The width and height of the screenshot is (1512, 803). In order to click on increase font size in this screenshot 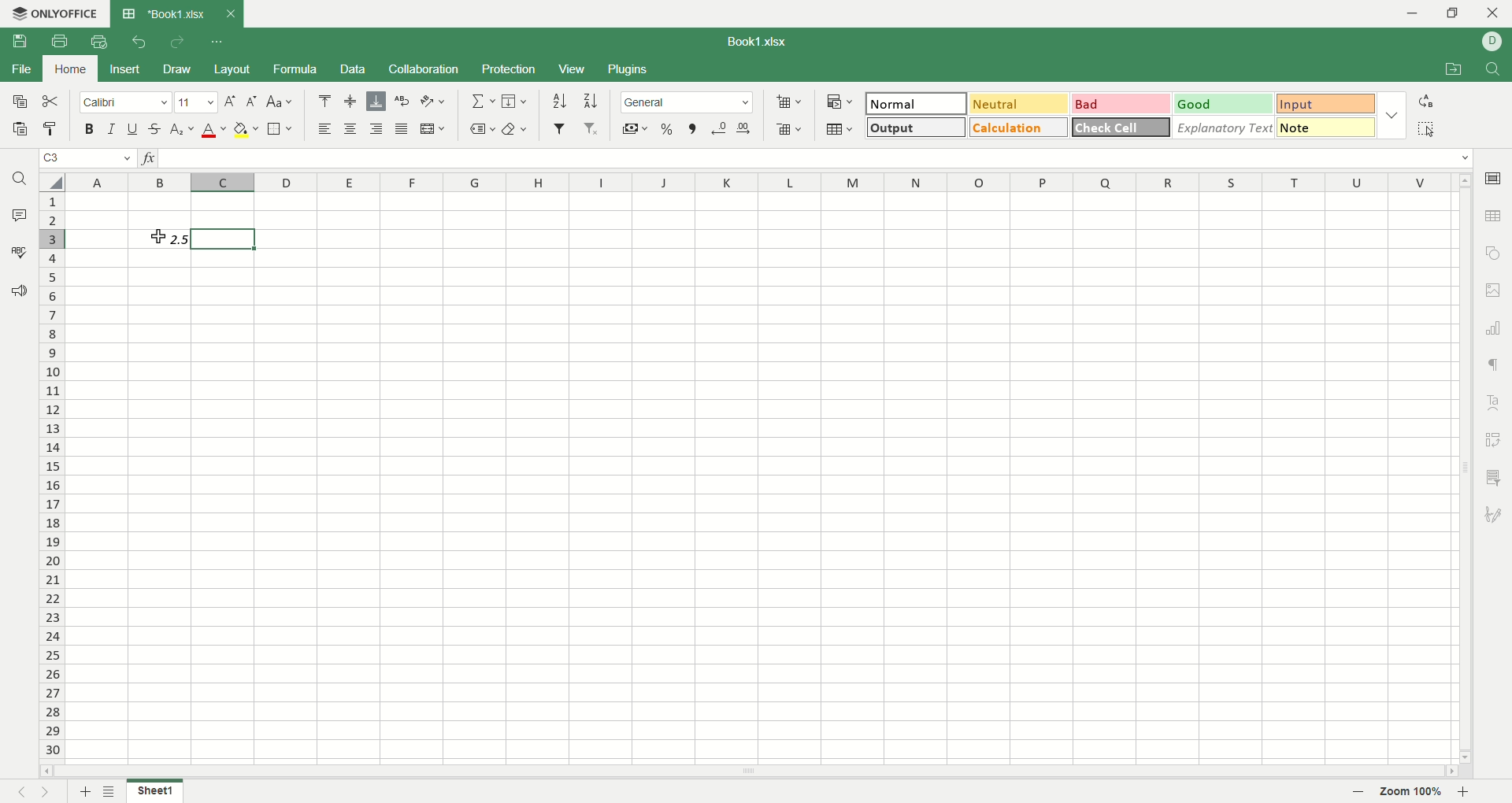, I will do `click(231, 102)`.